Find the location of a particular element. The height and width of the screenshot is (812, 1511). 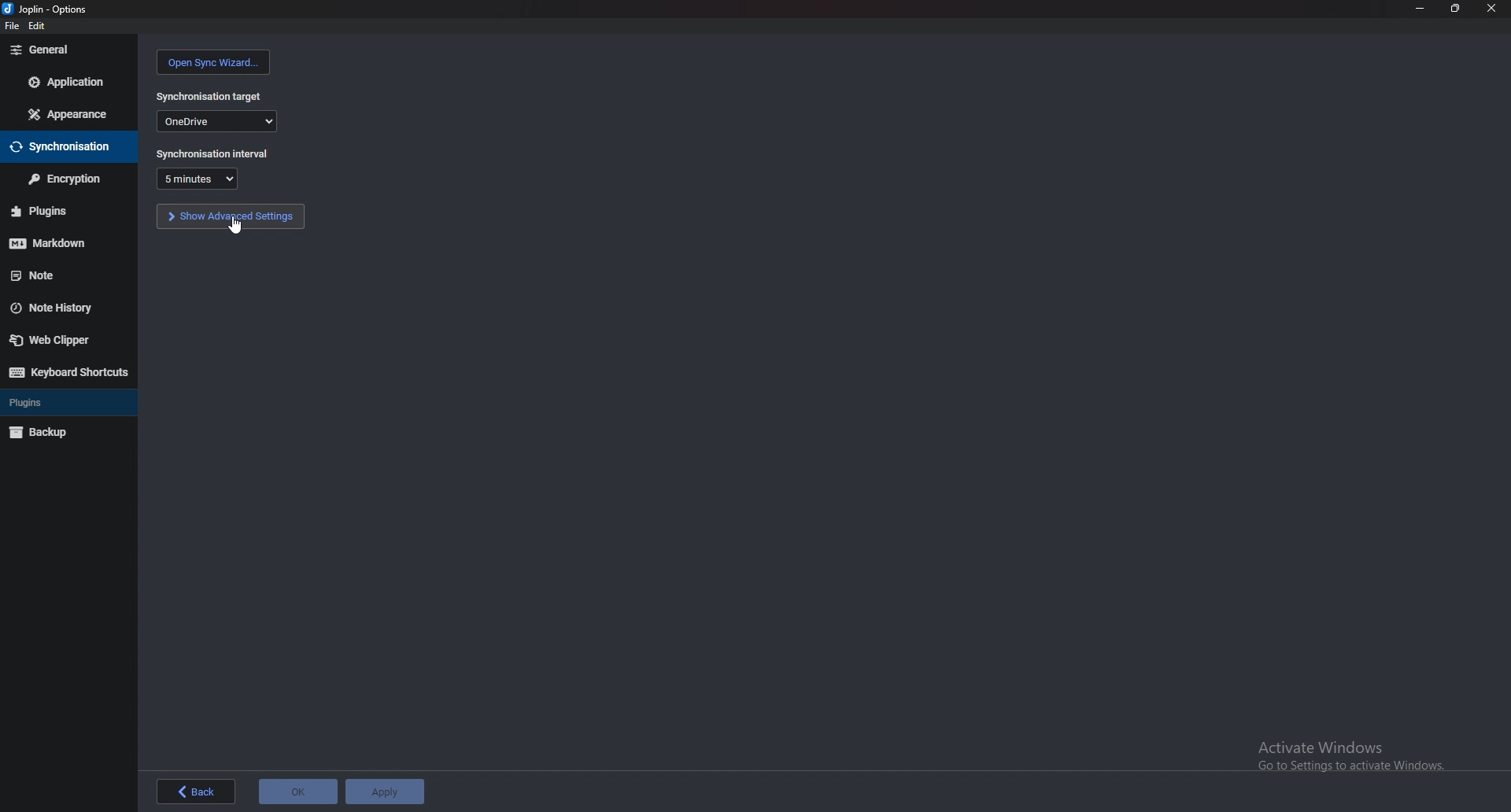

application is located at coordinates (72, 80).